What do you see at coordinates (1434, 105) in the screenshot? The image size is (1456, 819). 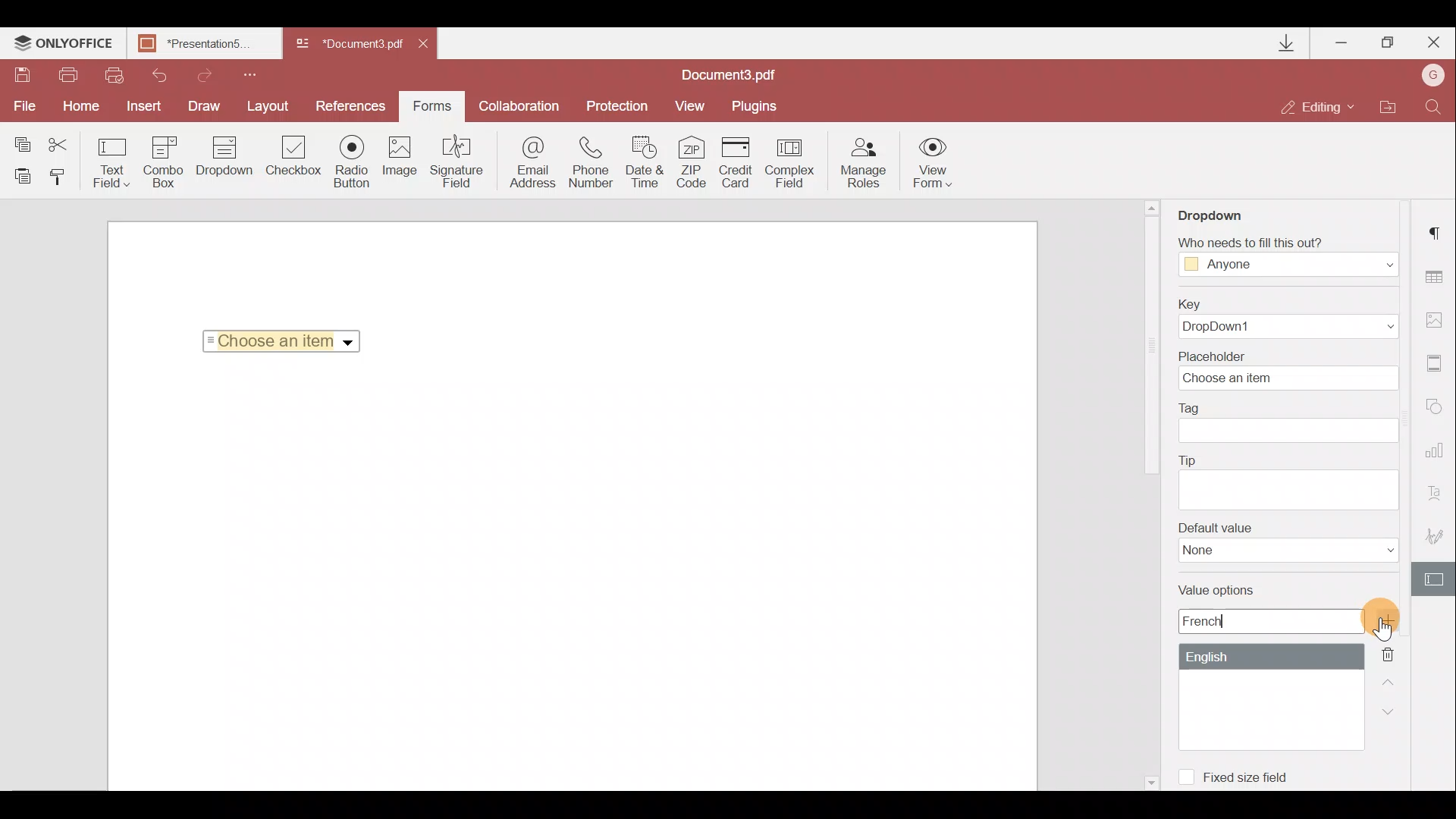 I see `Find` at bounding box center [1434, 105].